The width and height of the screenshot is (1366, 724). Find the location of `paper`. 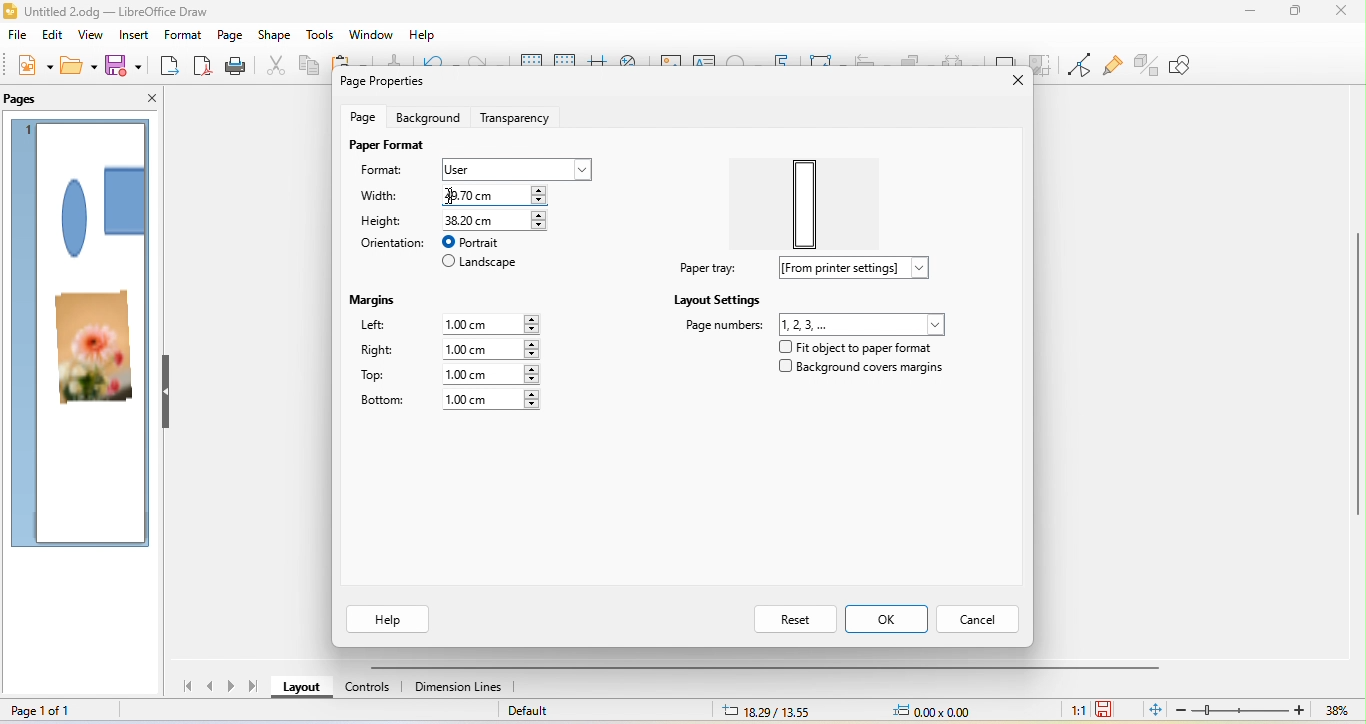

paper is located at coordinates (800, 203).